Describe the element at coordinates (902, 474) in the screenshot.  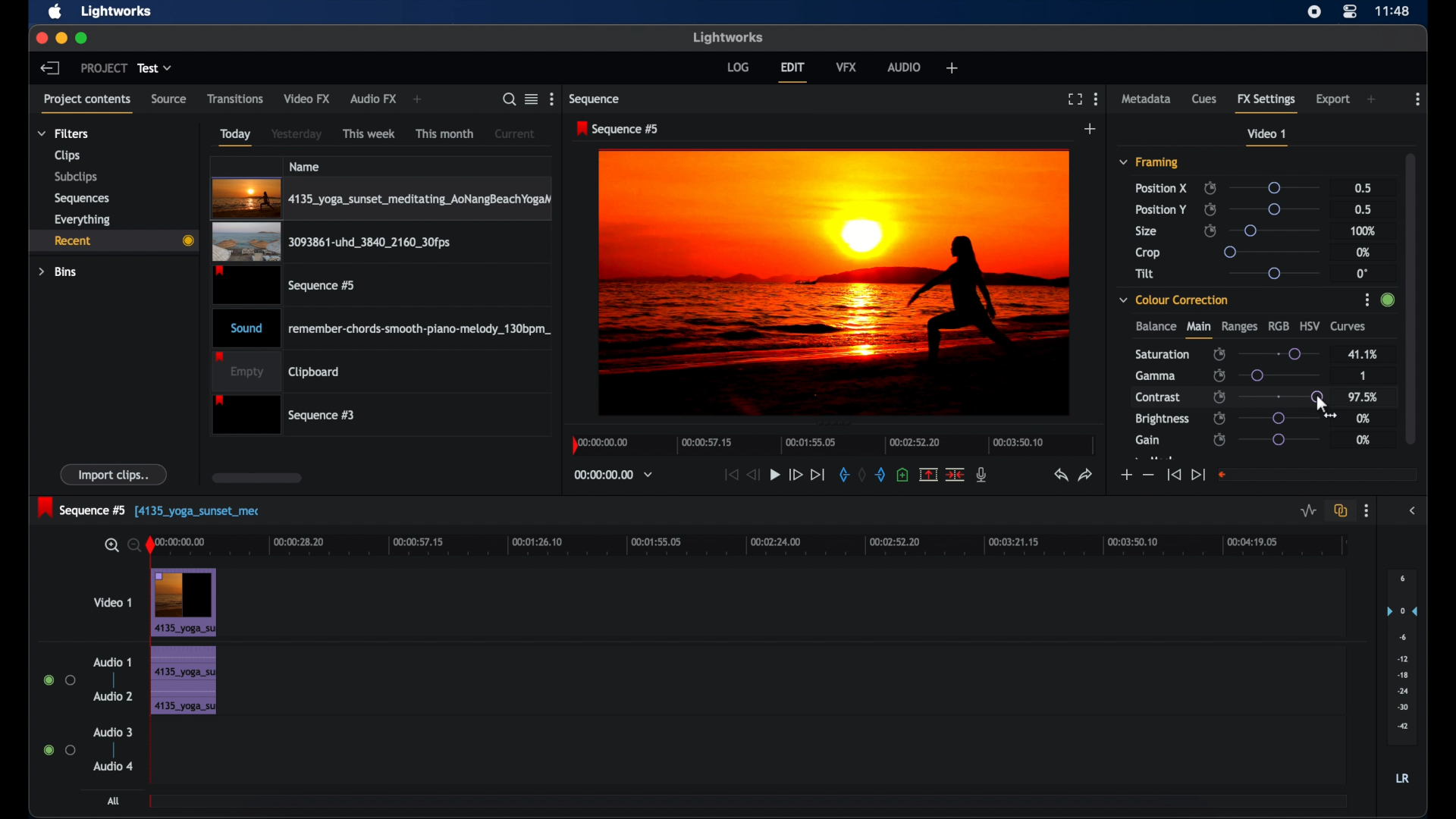
I see `adduce at the current position` at that location.